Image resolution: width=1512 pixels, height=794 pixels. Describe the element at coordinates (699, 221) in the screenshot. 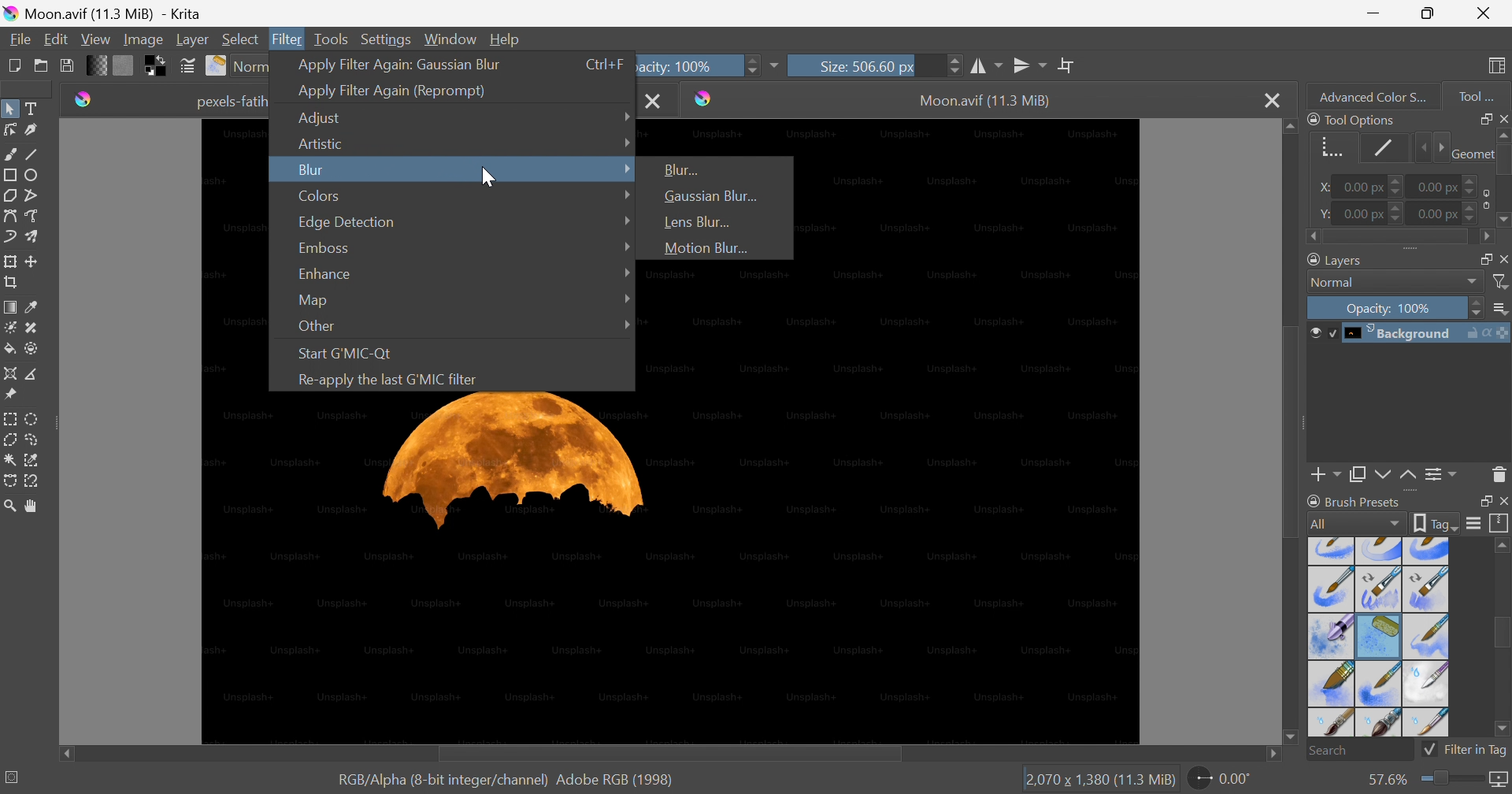

I see `Lens Blur...` at that location.